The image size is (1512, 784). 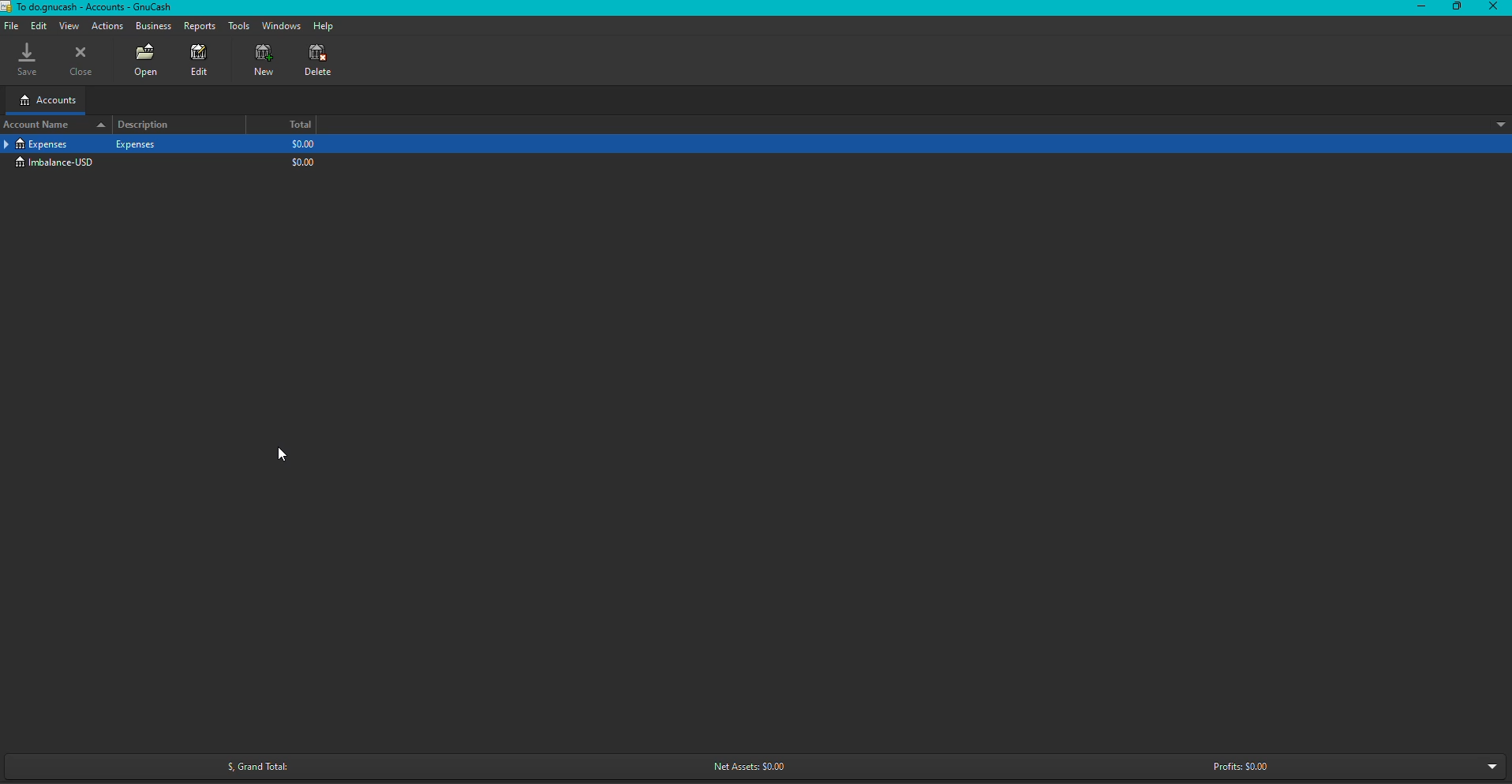 I want to click on Navigation, so click(x=11, y=26).